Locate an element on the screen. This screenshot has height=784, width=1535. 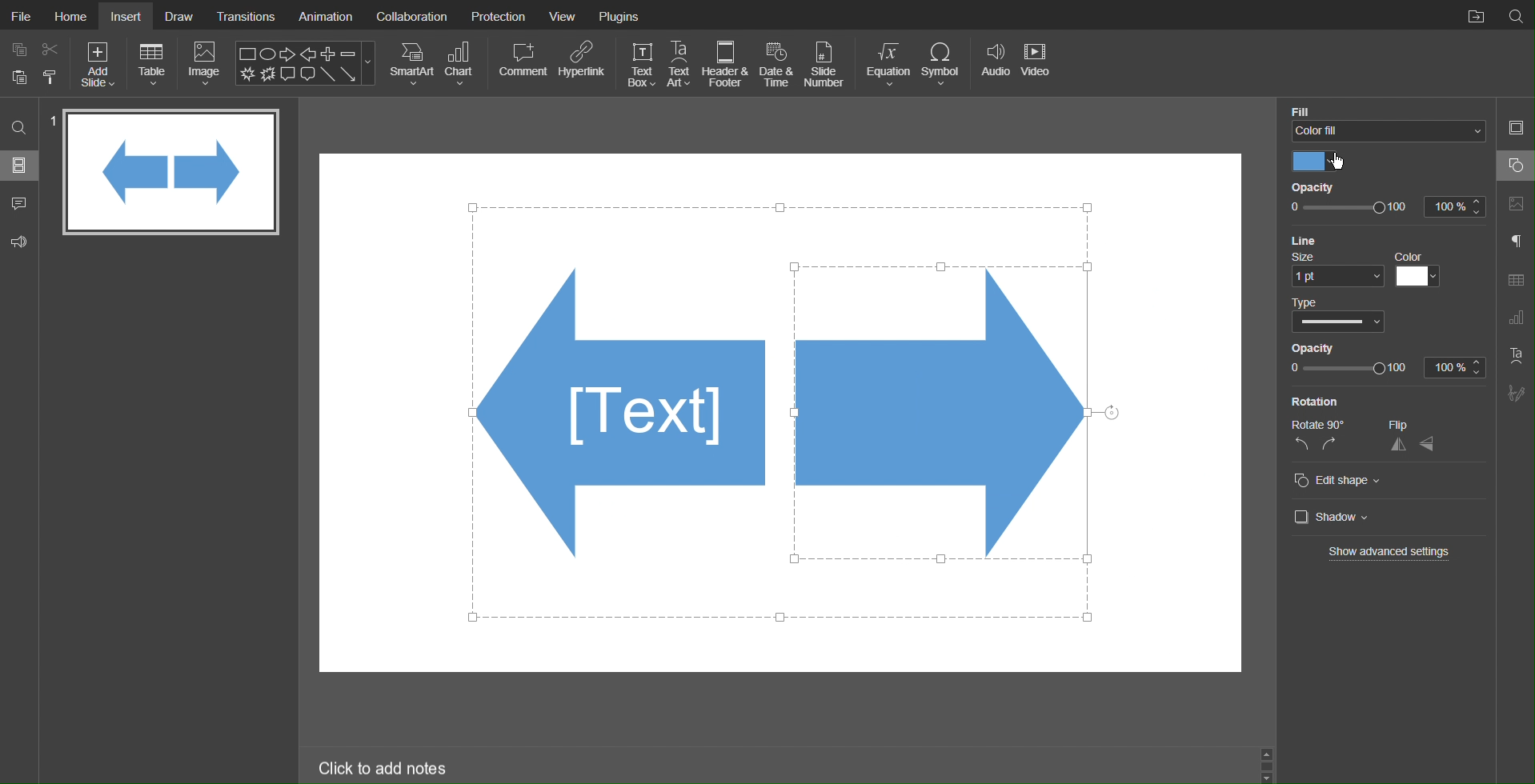
File  is located at coordinates (19, 14).